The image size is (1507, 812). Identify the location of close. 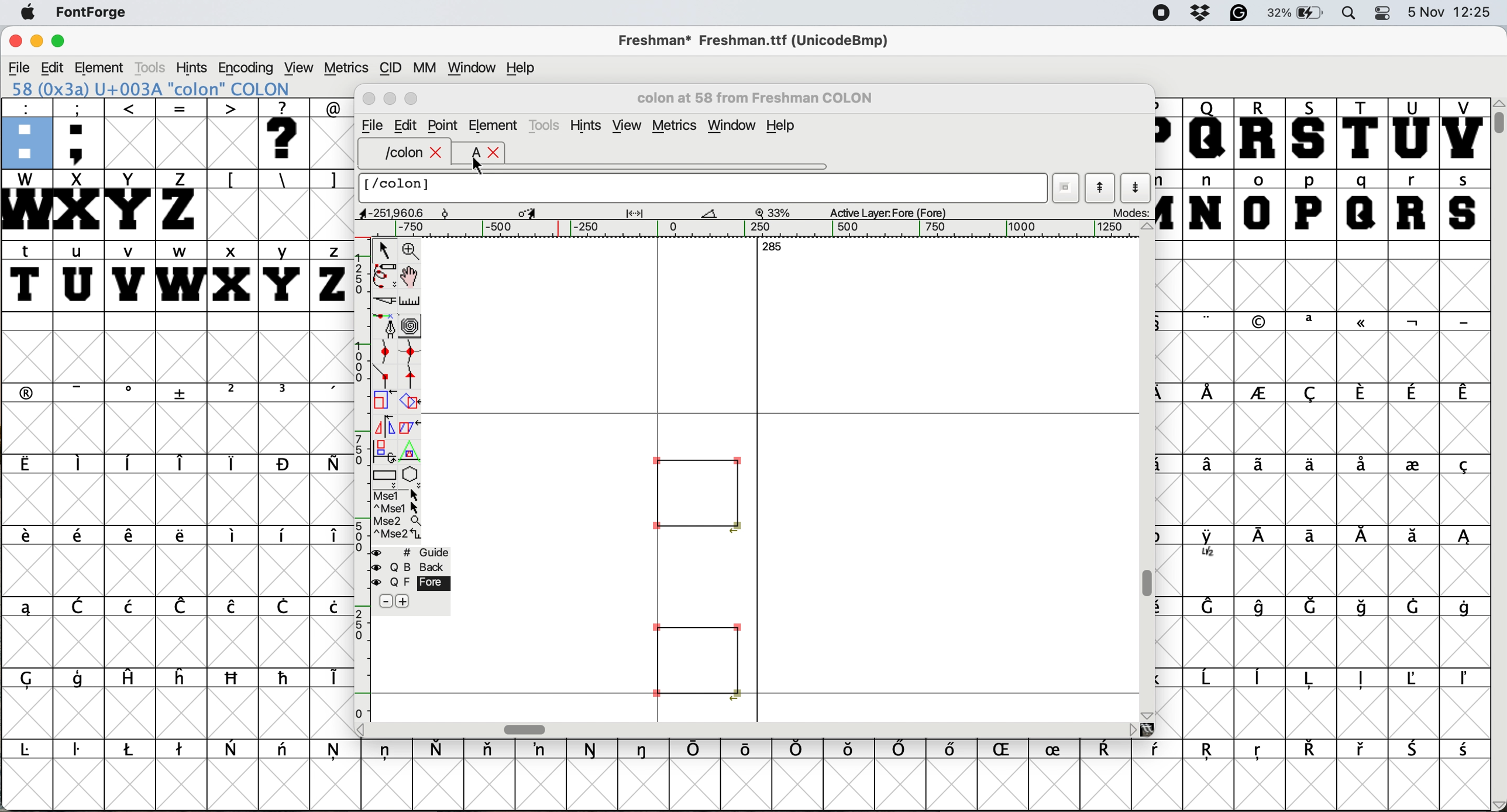
(13, 42).